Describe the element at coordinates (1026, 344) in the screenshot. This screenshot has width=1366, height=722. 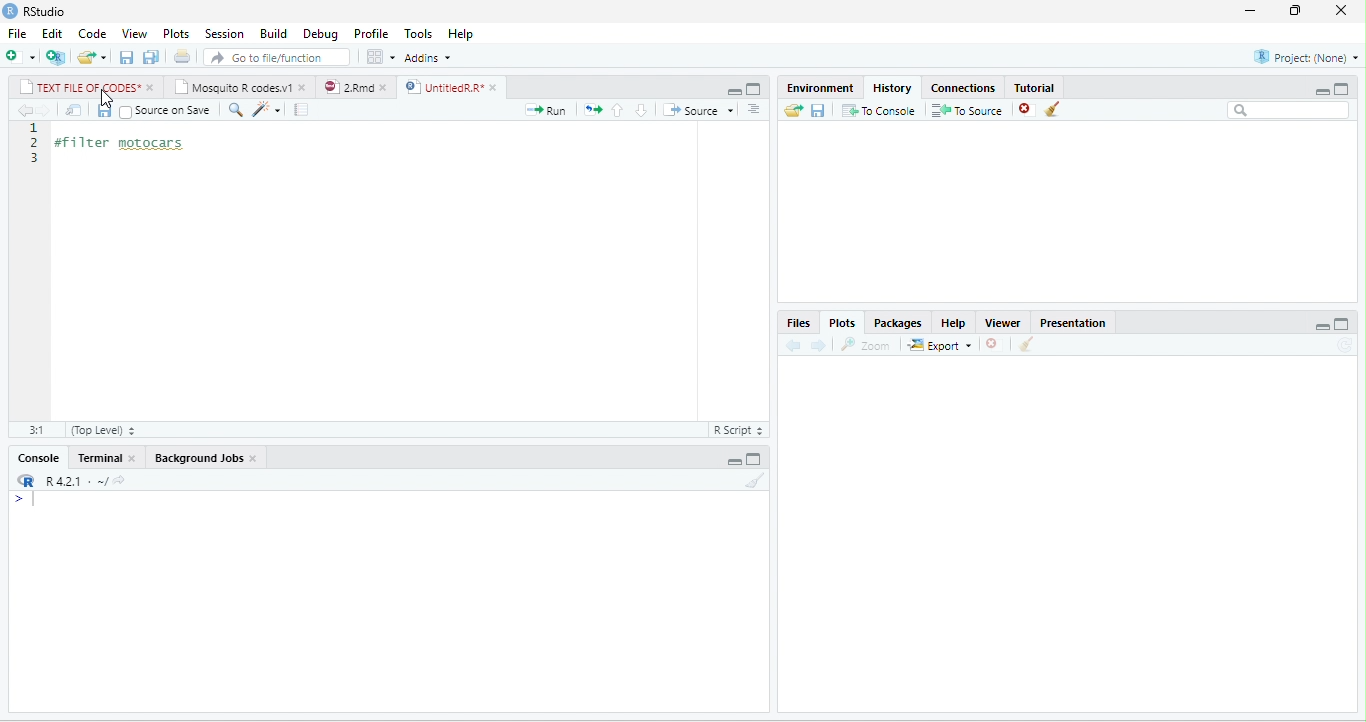
I see `clear` at that location.